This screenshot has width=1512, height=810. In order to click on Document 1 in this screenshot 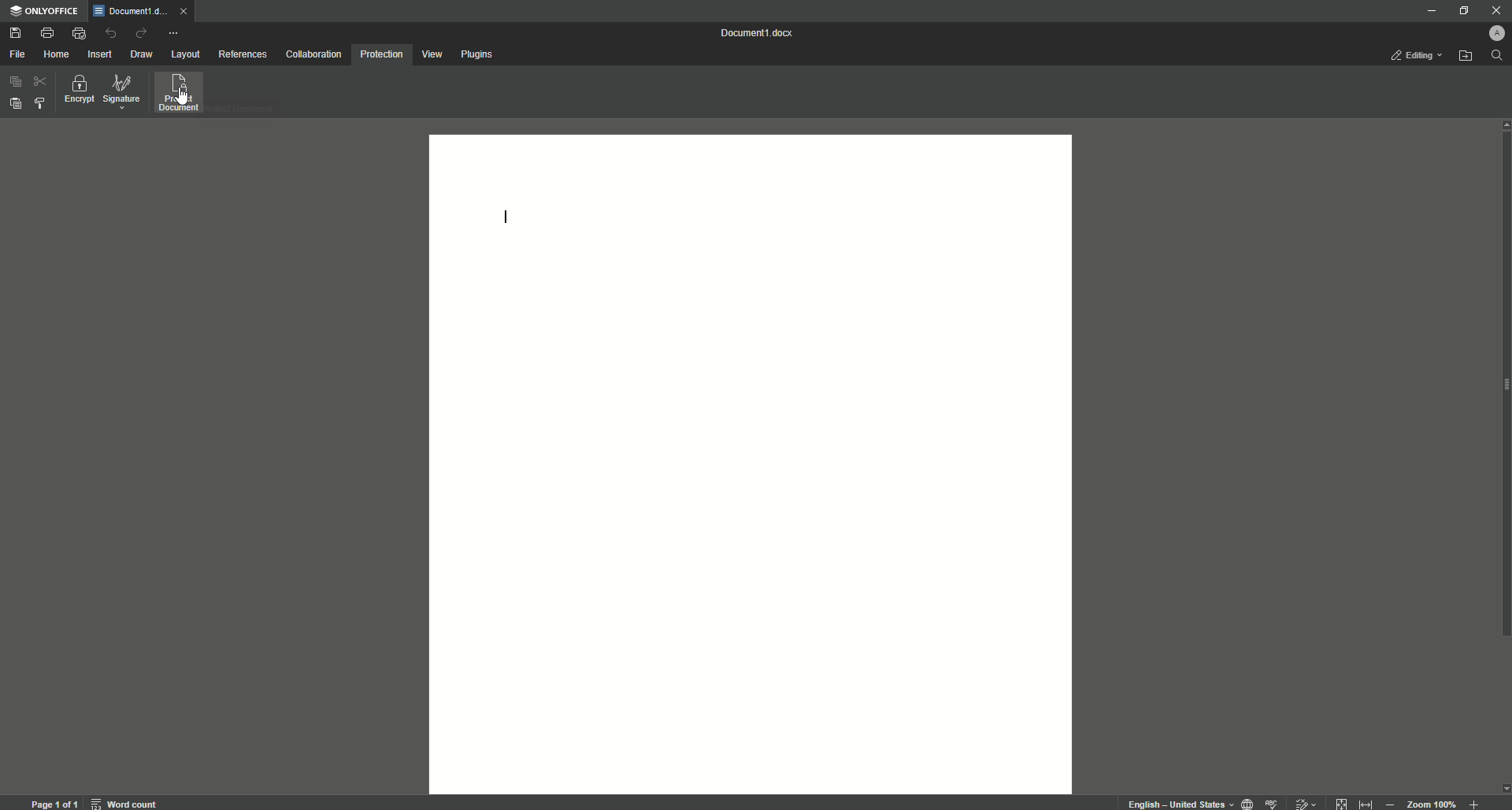, I will do `click(760, 33)`.